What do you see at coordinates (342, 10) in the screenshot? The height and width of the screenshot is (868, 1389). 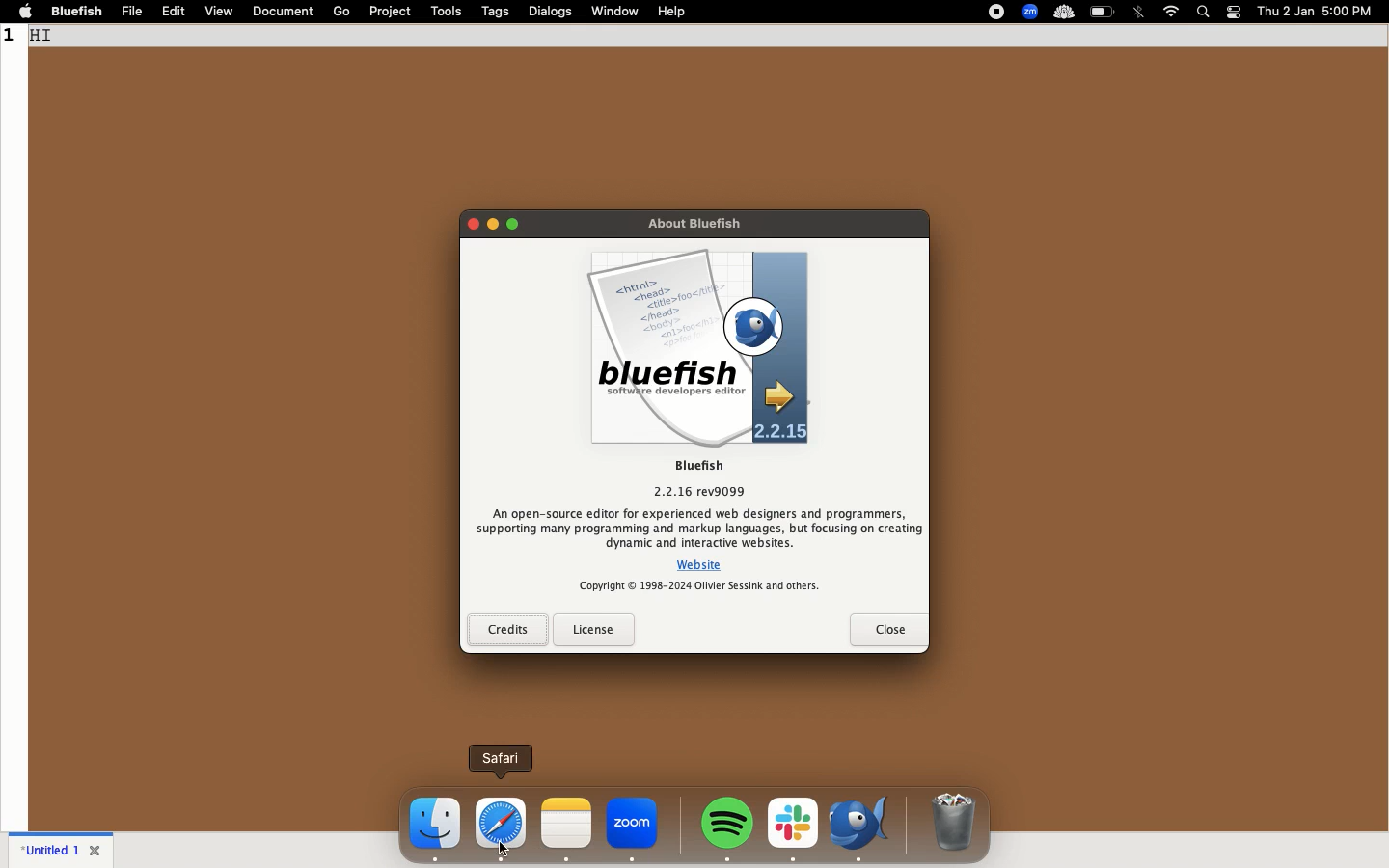 I see `go` at bounding box center [342, 10].